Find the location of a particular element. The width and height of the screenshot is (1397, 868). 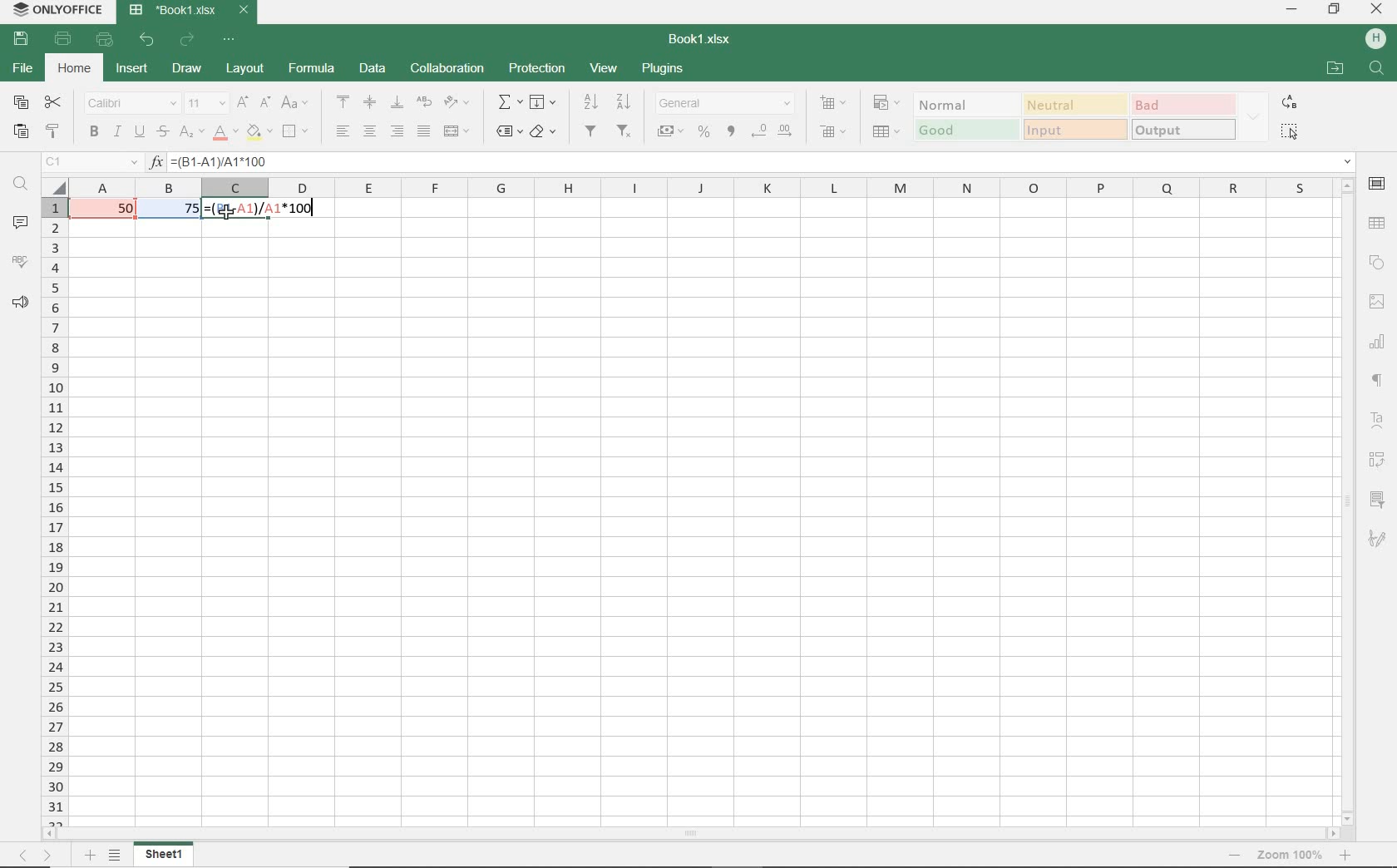

find is located at coordinates (1375, 67).